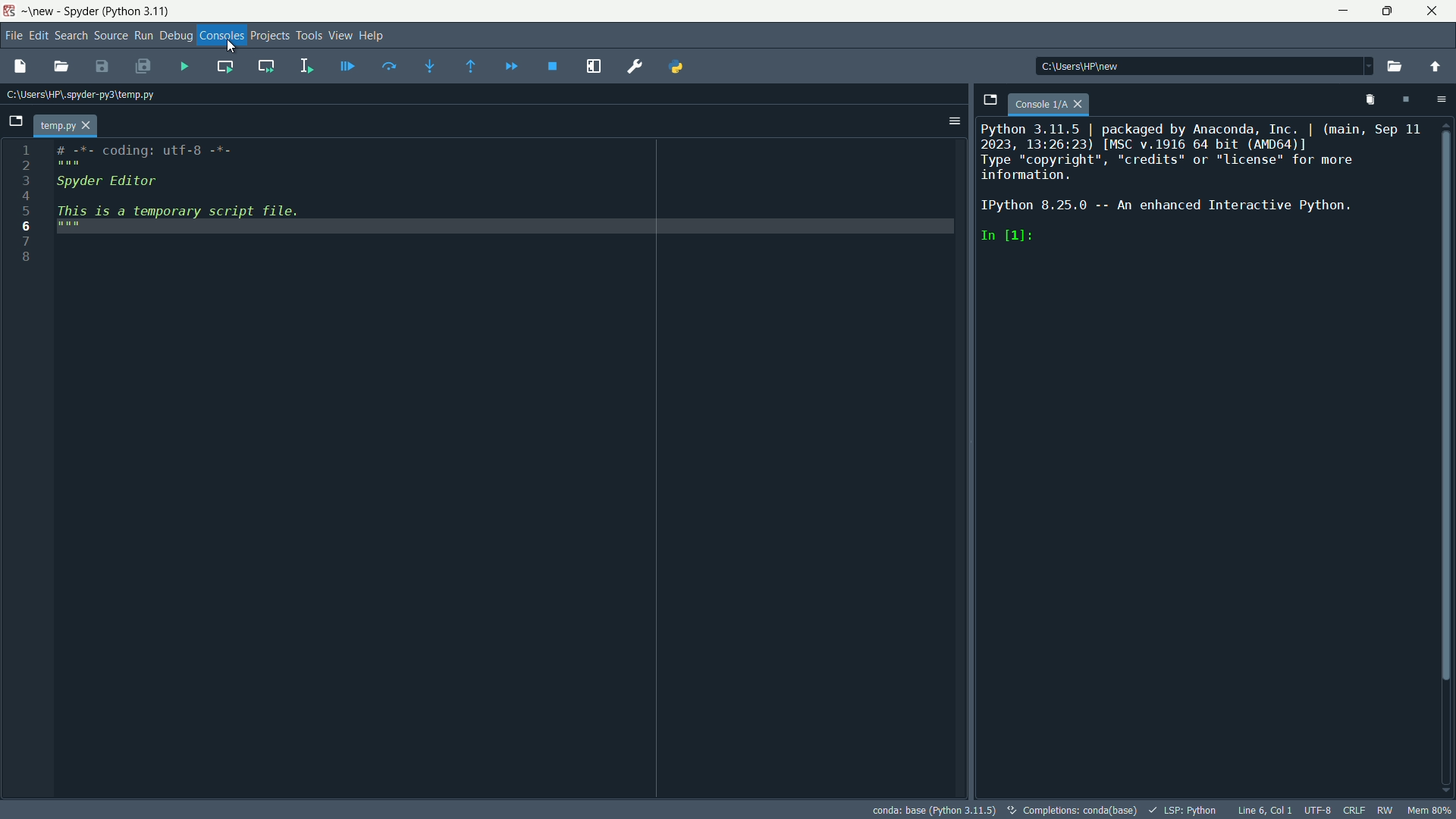 The width and height of the screenshot is (1456, 819). What do you see at coordinates (1265, 810) in the screenshot?
I see `cursor position` at bounding box center [1265, 810].